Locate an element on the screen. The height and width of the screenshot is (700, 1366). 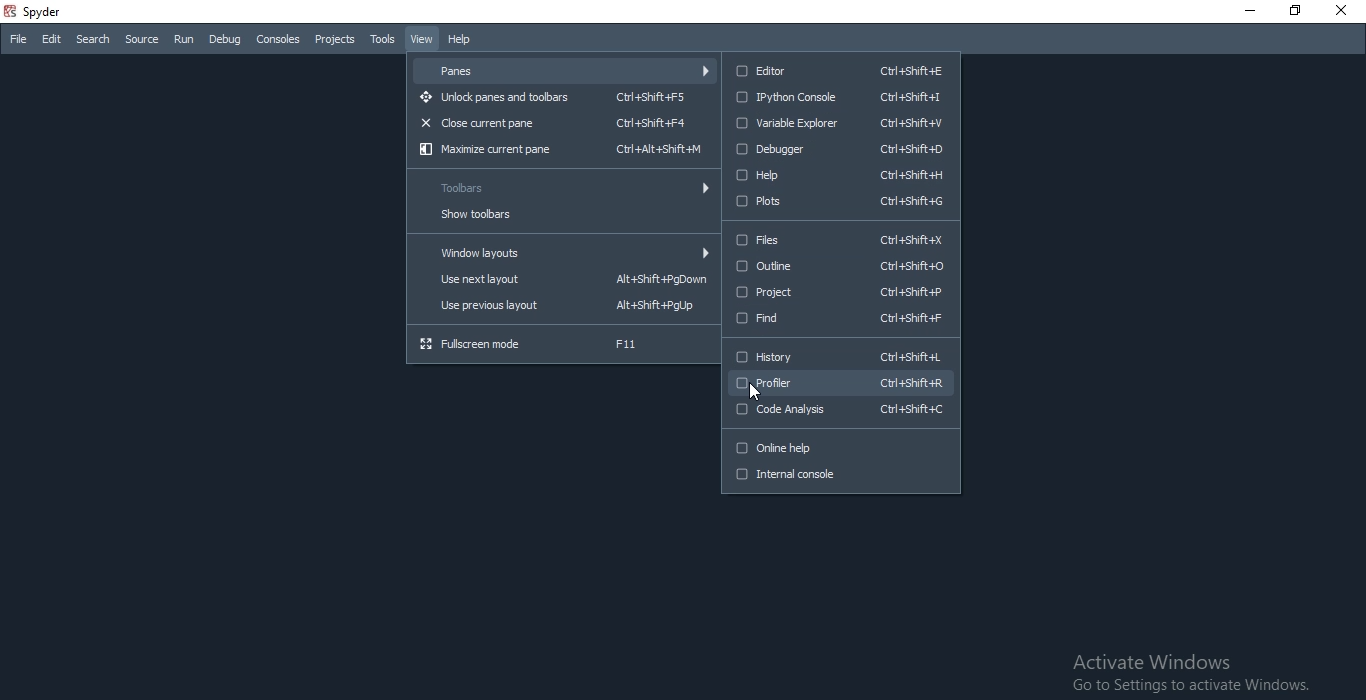
Help is located at coordinates (840, 174).